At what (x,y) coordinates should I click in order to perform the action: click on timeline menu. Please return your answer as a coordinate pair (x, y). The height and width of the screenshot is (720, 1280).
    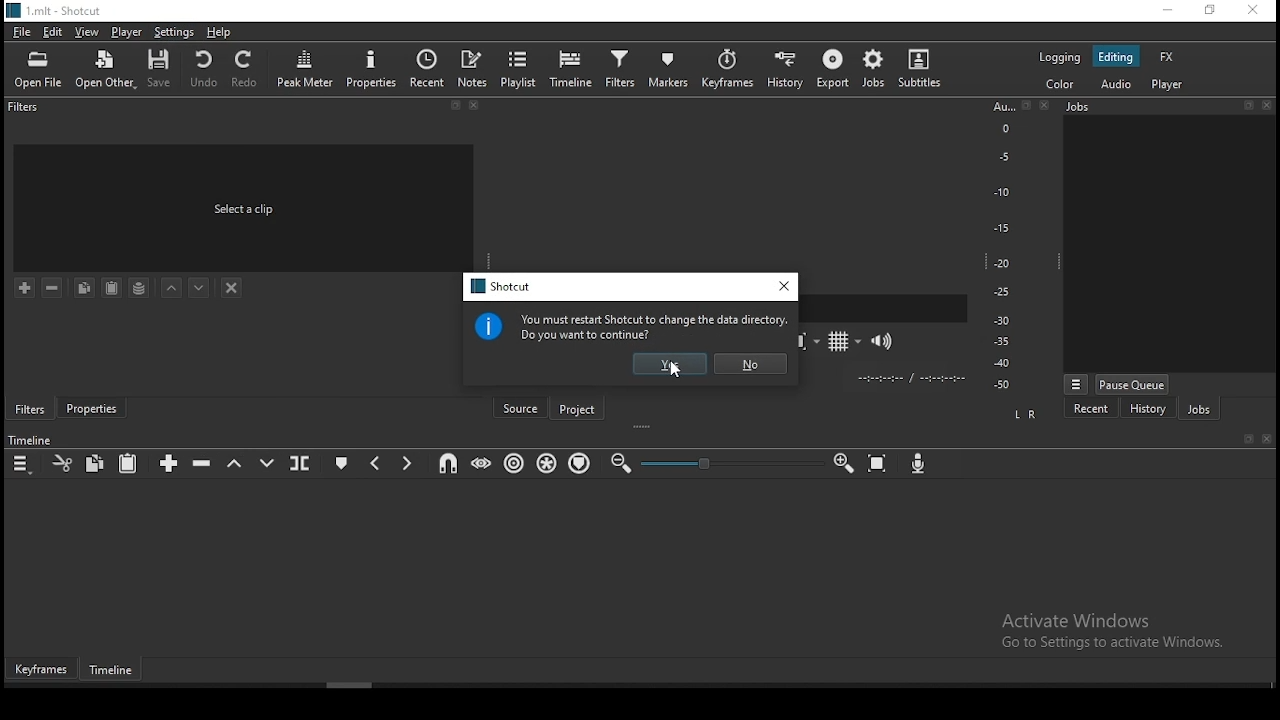
    Looking at the image, I should click on (22, 462).